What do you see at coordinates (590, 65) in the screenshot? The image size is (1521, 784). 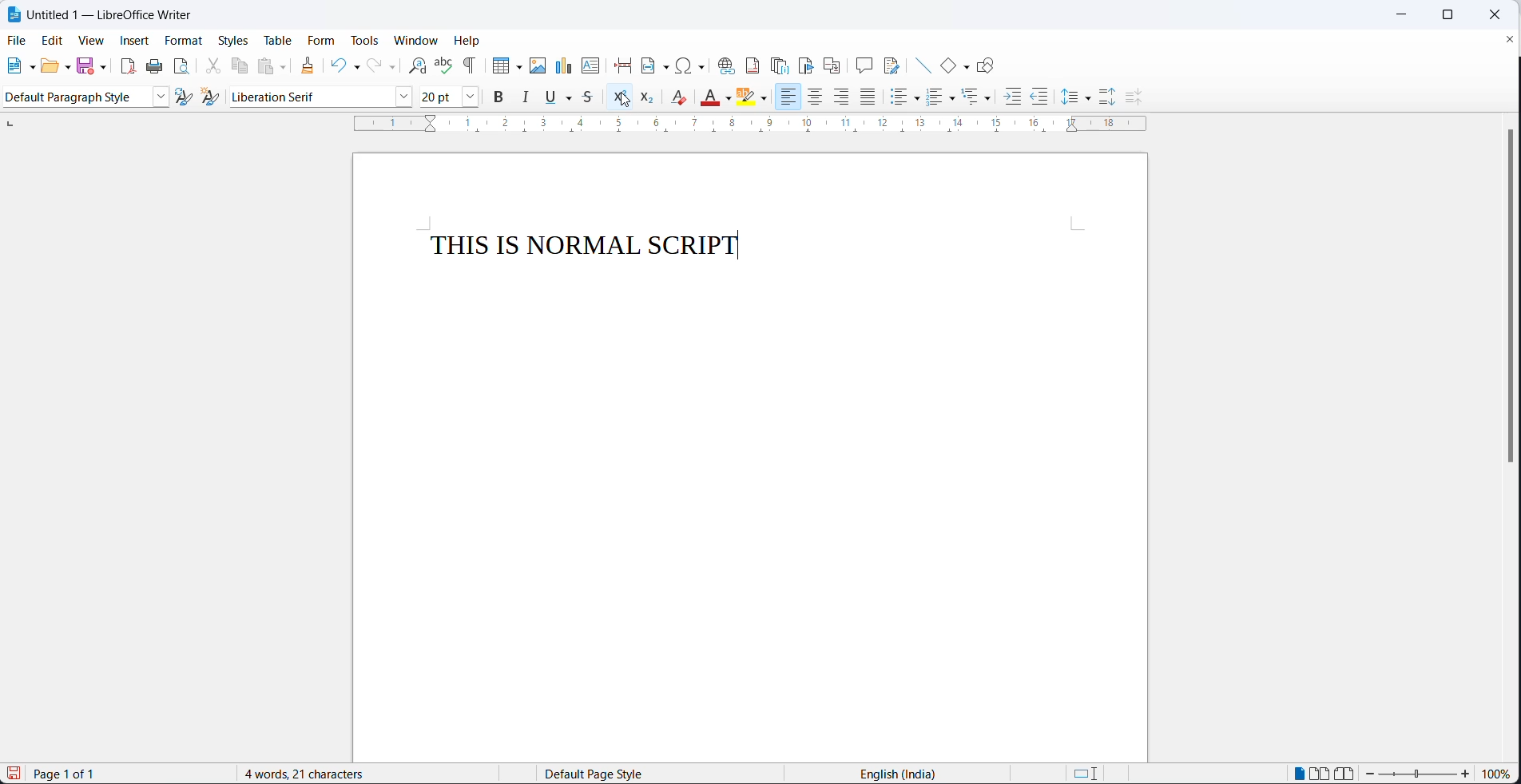 I see `insert text` at bounding box center [590, 65].